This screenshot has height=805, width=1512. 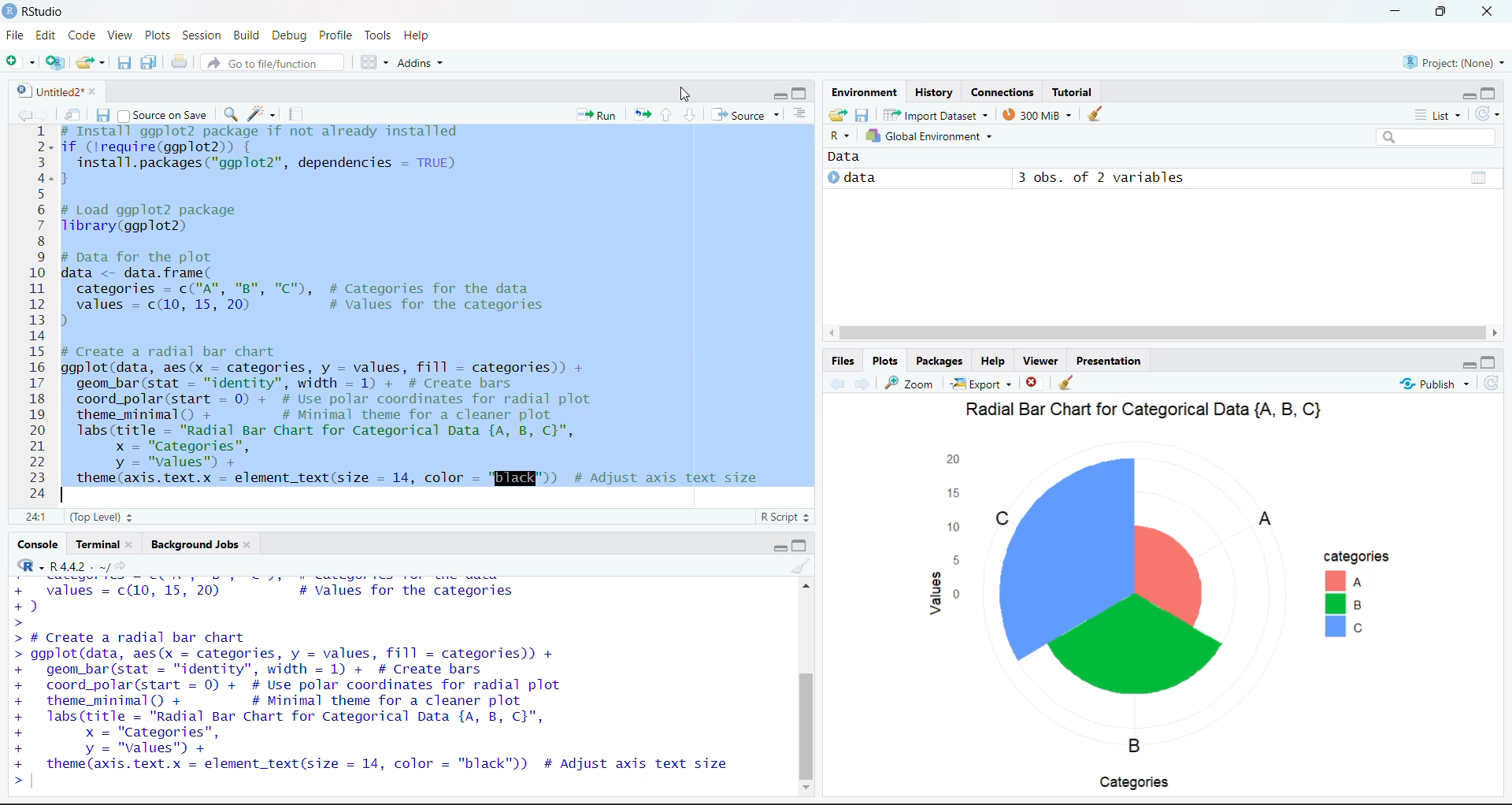 I want to click on show document outline, so click(x=802, y=114).